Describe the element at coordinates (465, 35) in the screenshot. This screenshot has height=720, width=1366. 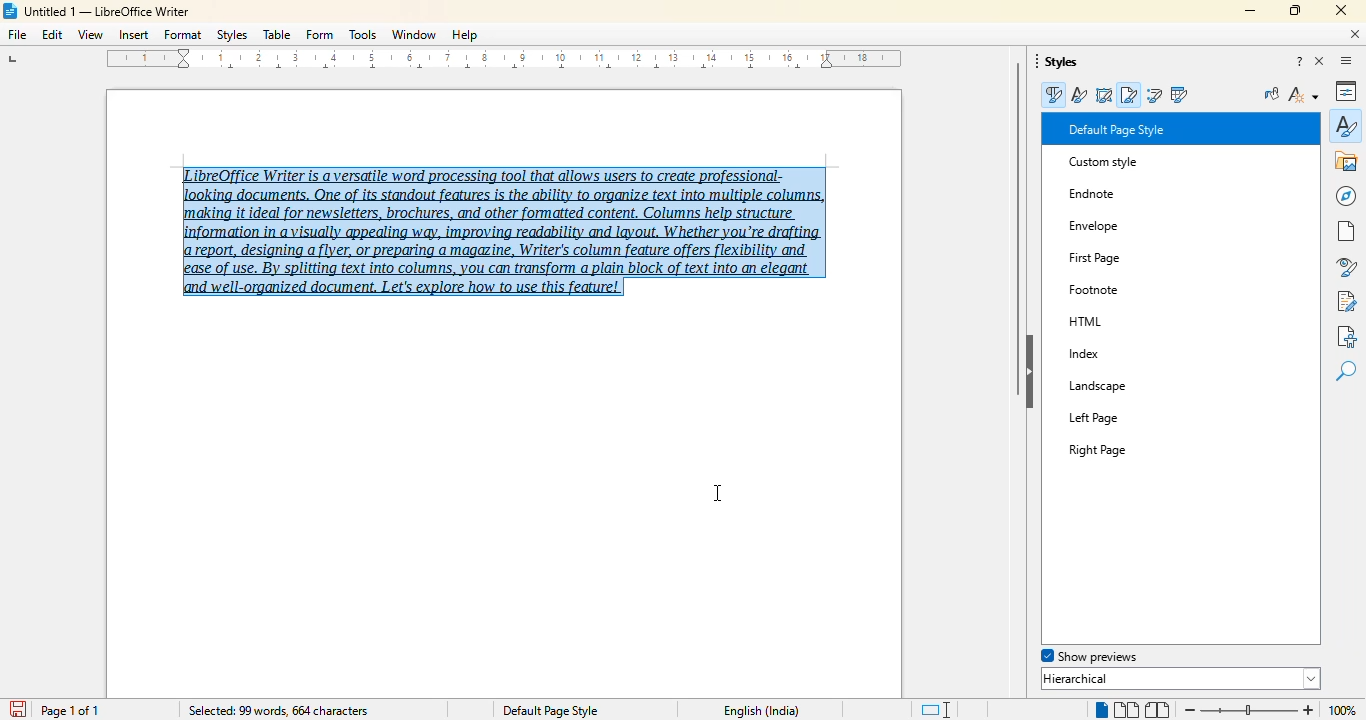
I see `help` at that location.